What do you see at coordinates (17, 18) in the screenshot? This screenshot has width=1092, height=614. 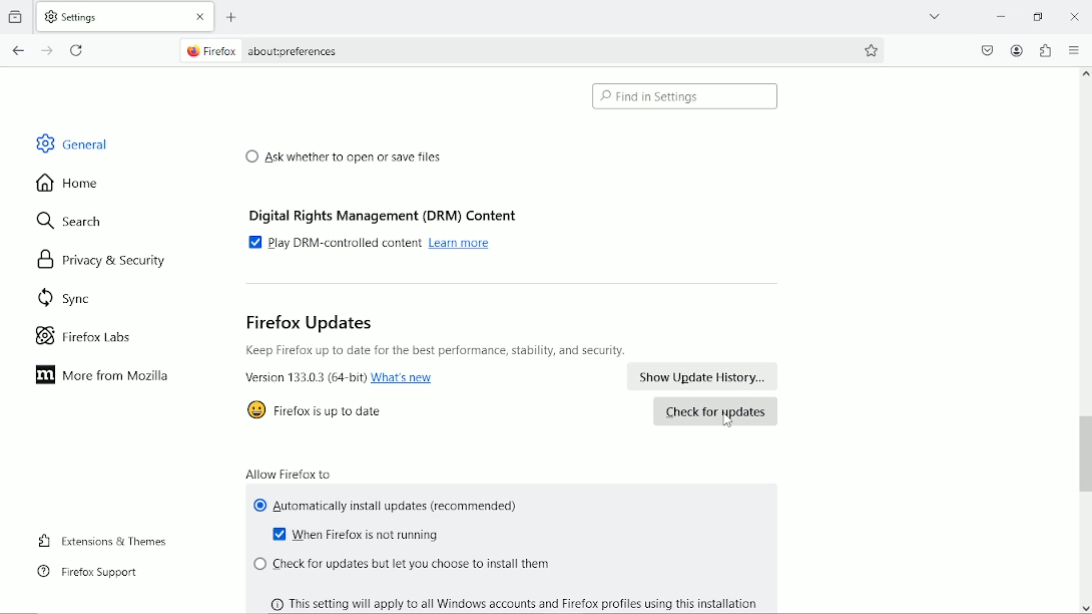 I see `view recent browsing` at bounding box center [17, 18].